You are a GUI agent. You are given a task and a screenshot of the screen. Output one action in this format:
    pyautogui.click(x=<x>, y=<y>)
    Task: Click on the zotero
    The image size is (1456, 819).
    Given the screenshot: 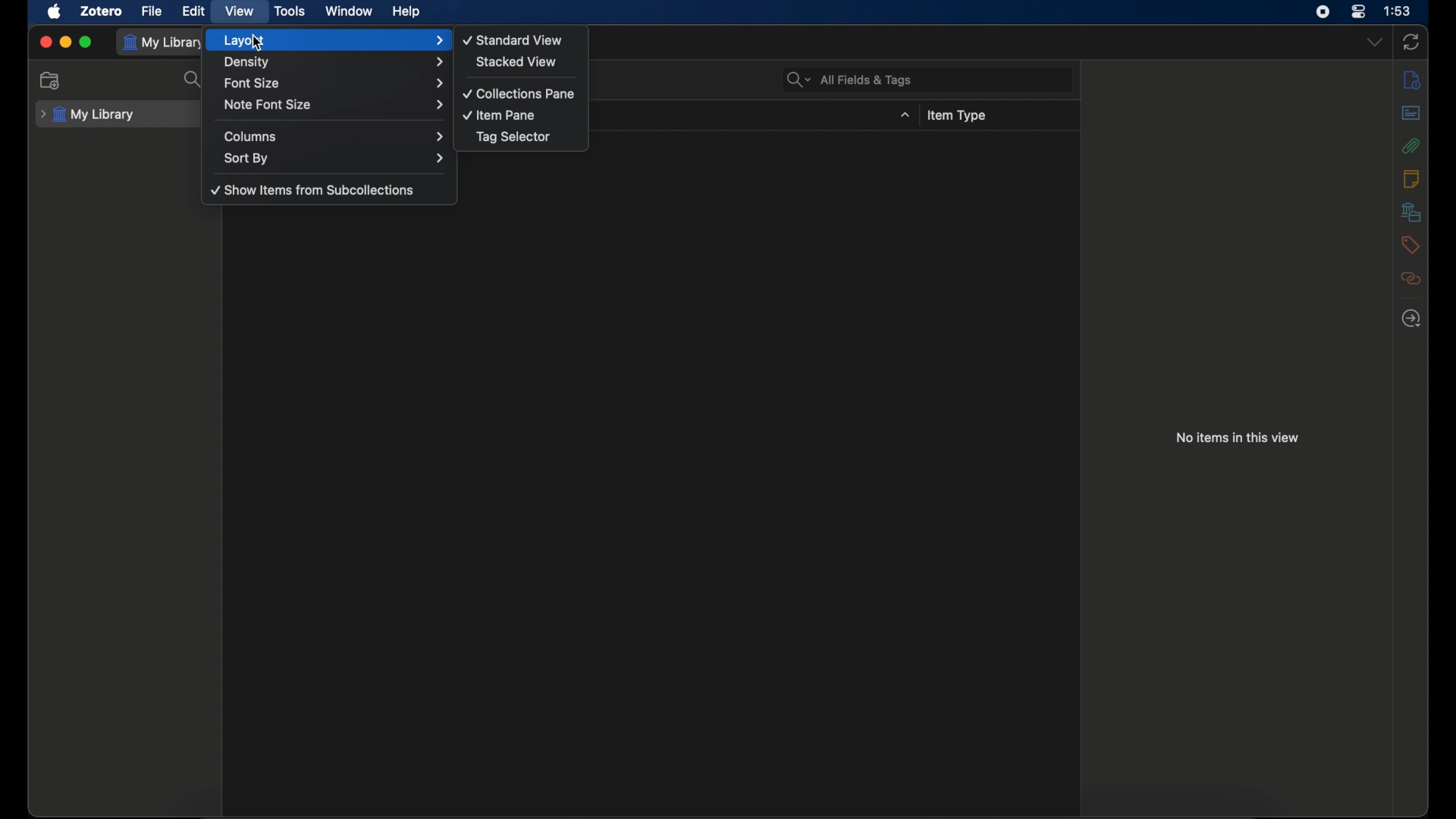 What is the action you would take?
    pyautogui.click(x=102, y=11)
    